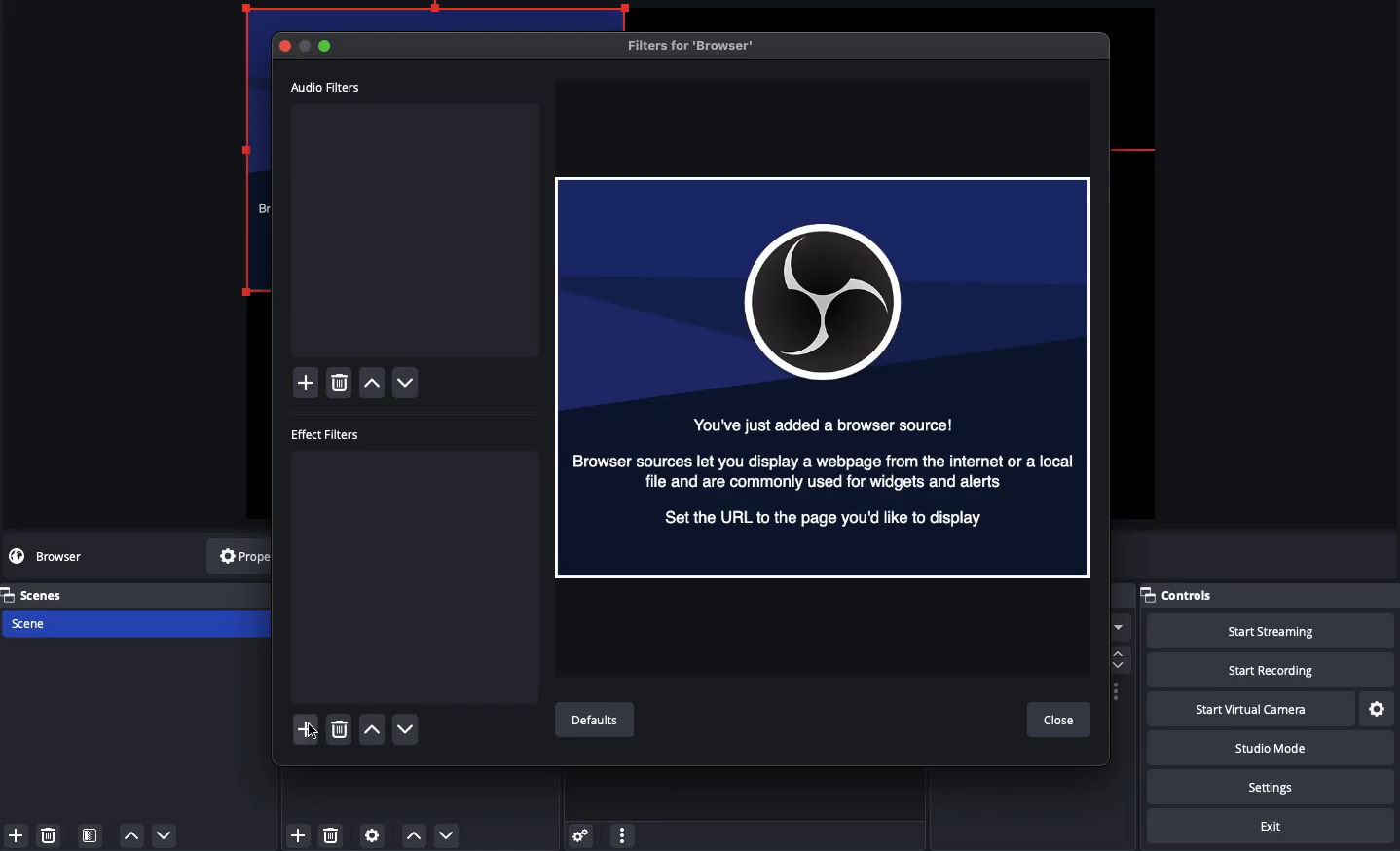  What do you see at coordinates (406, 728) in the screenshot?
I see `down` at bounding box center [406, 728].